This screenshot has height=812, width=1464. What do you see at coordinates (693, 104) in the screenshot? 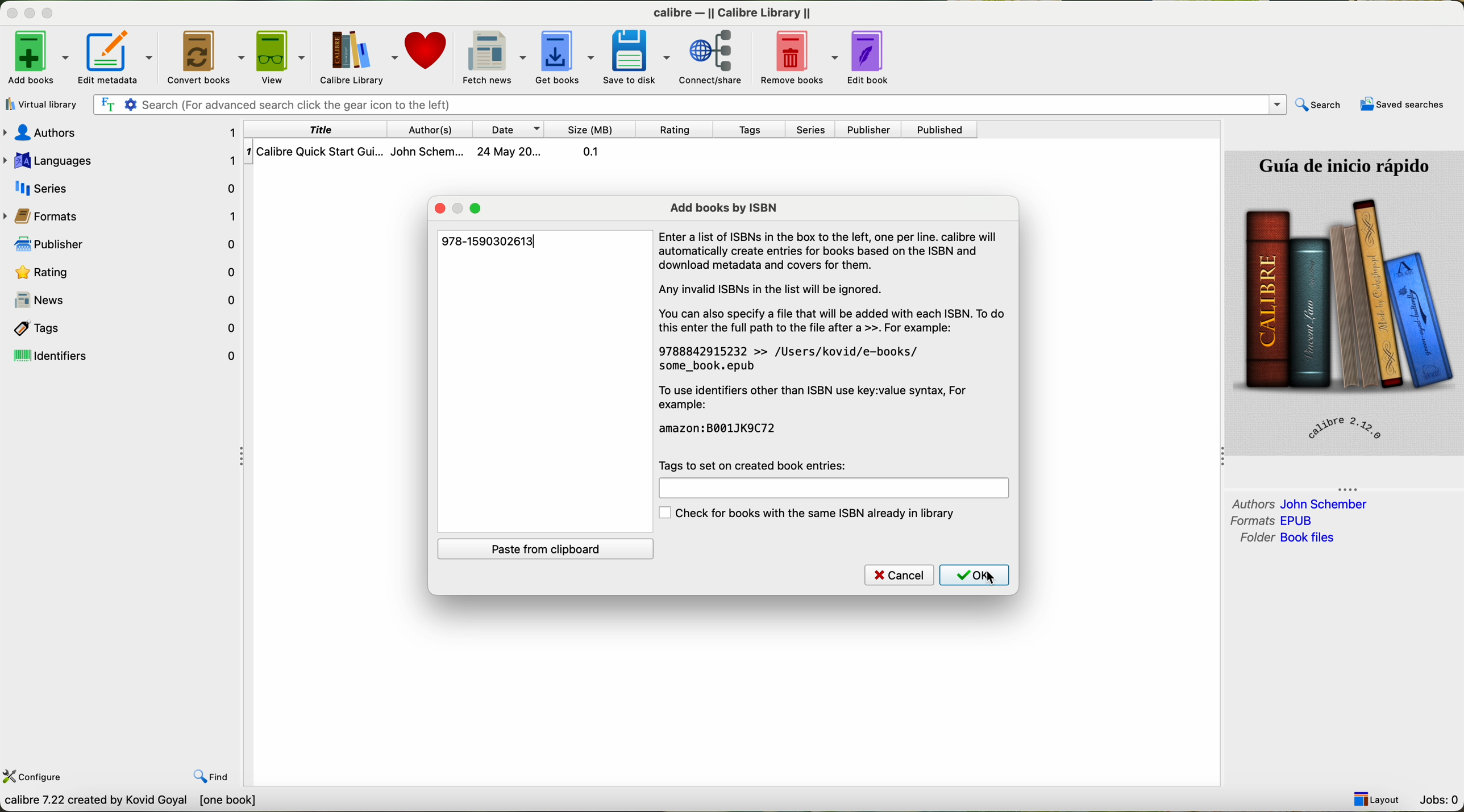
I see `searrch bar` at bounding box center [693, 104].